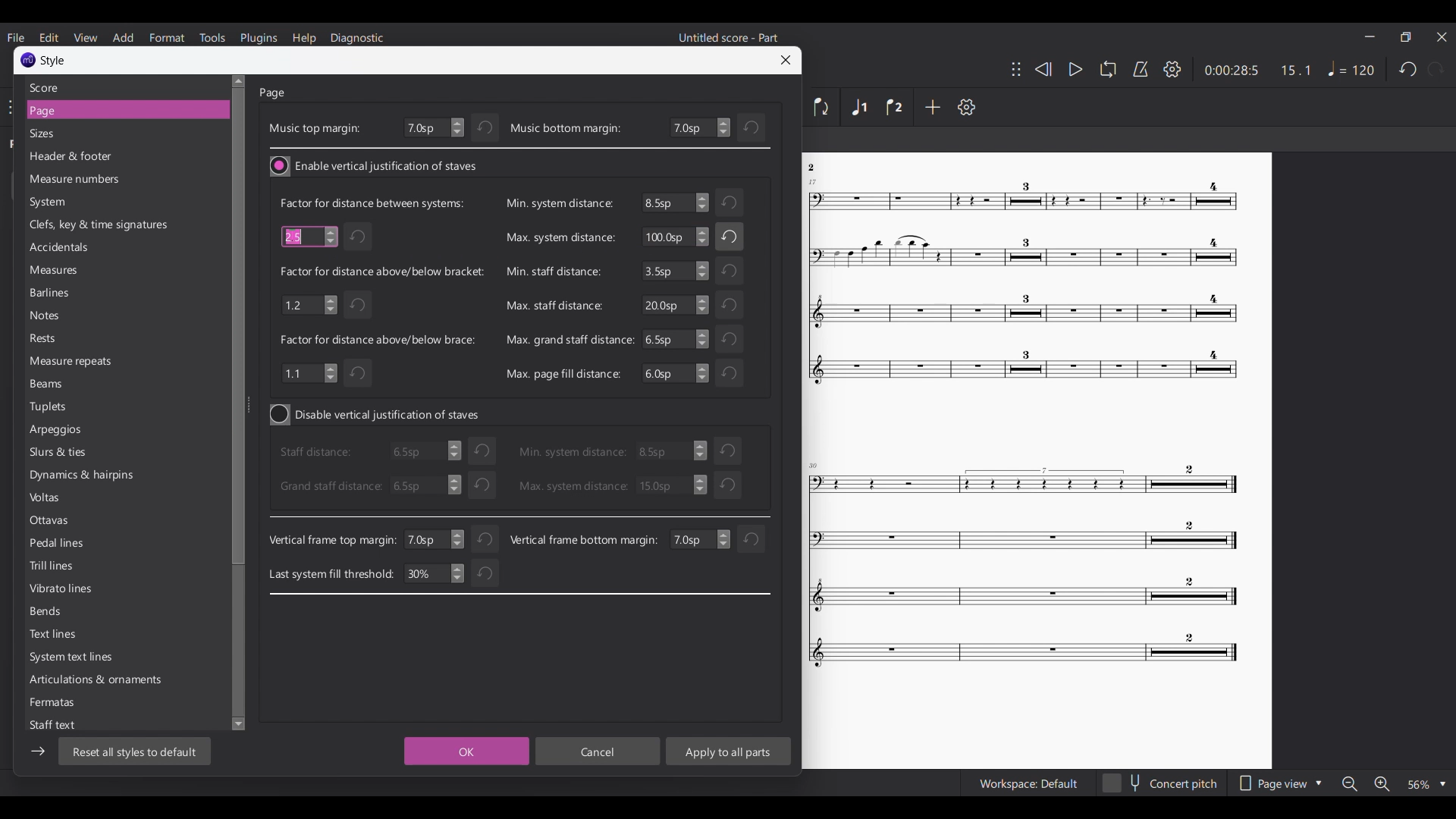  What do you see at coordinates (308, 303) in the screenshot?
I see `1.2` at bounding box center [308, 303].